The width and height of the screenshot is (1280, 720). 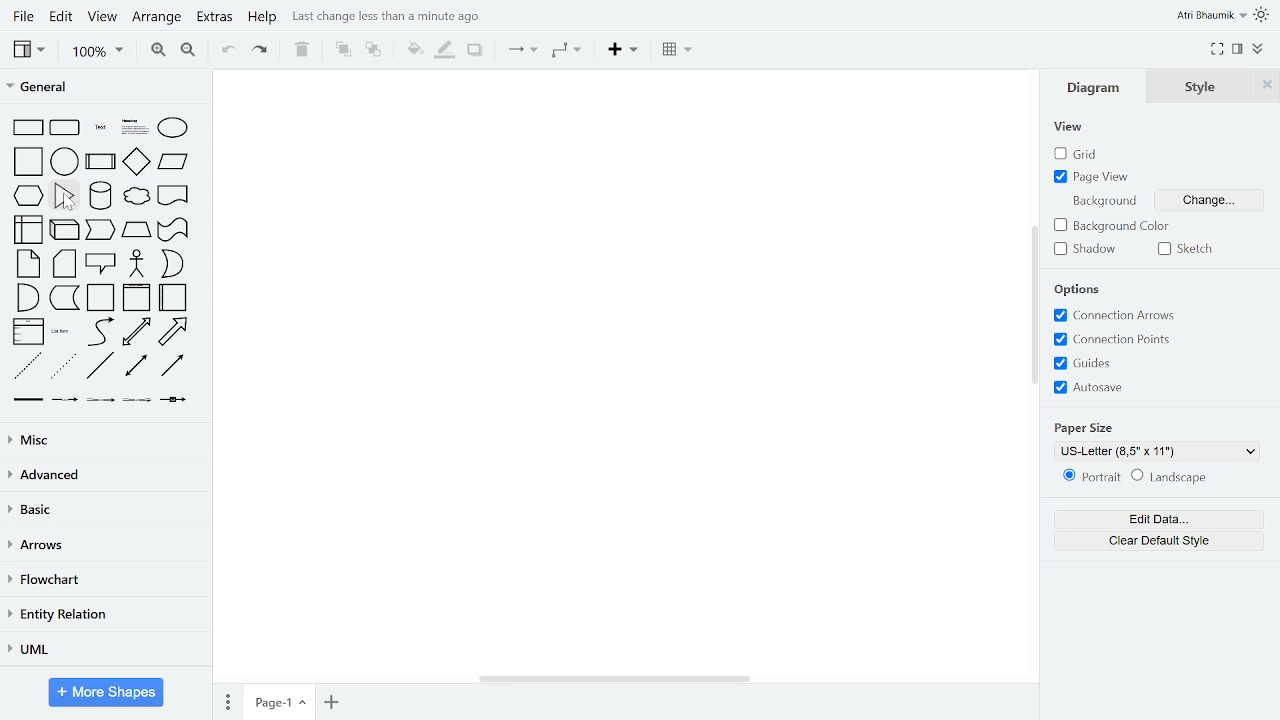 What do you see at coordinates (177, 331) in the screenshot?
I see `arrow` at bounding box center [177, 331].